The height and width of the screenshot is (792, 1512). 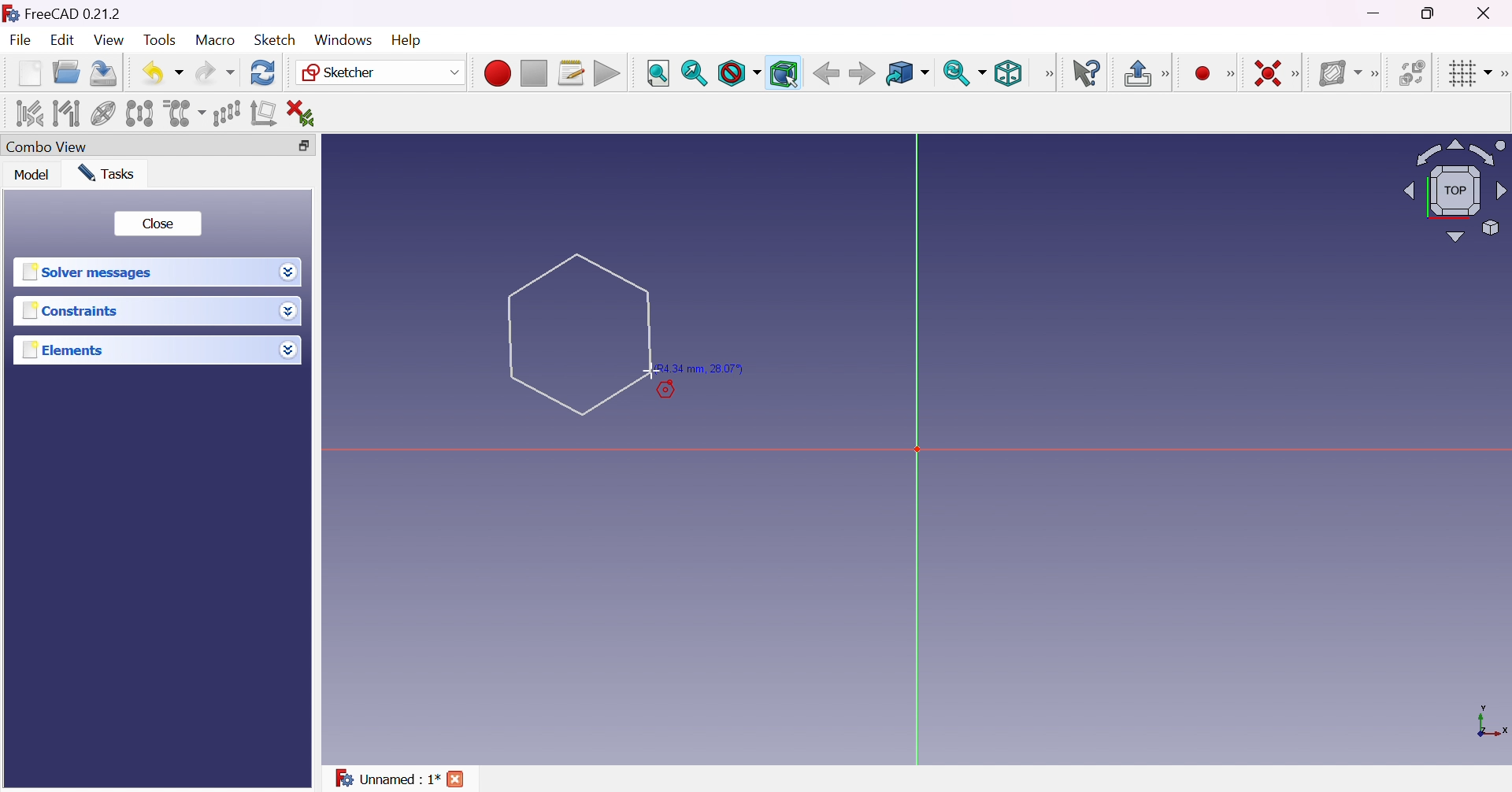 What do you see at coordinates (287, 270) in the screenshot?
I see `Drop down` at bounding box center [287, 270].